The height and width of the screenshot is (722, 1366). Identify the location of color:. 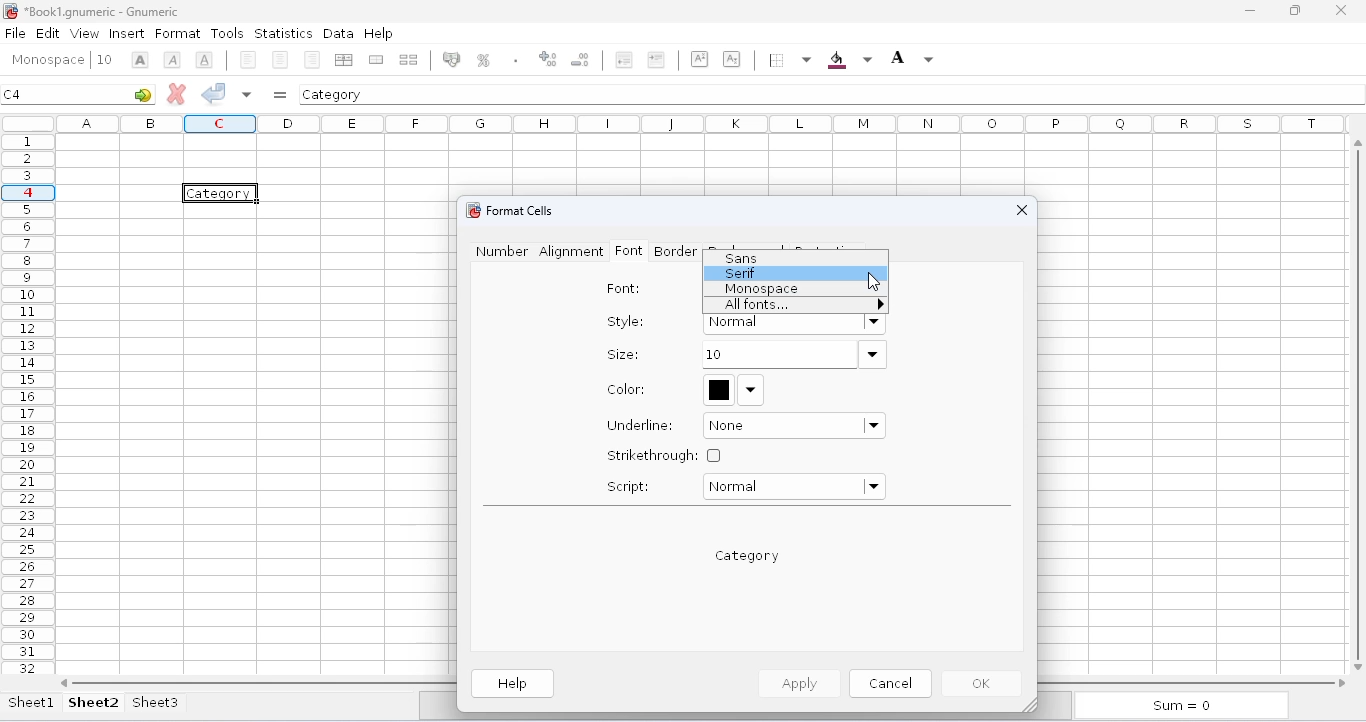
(627, 389).